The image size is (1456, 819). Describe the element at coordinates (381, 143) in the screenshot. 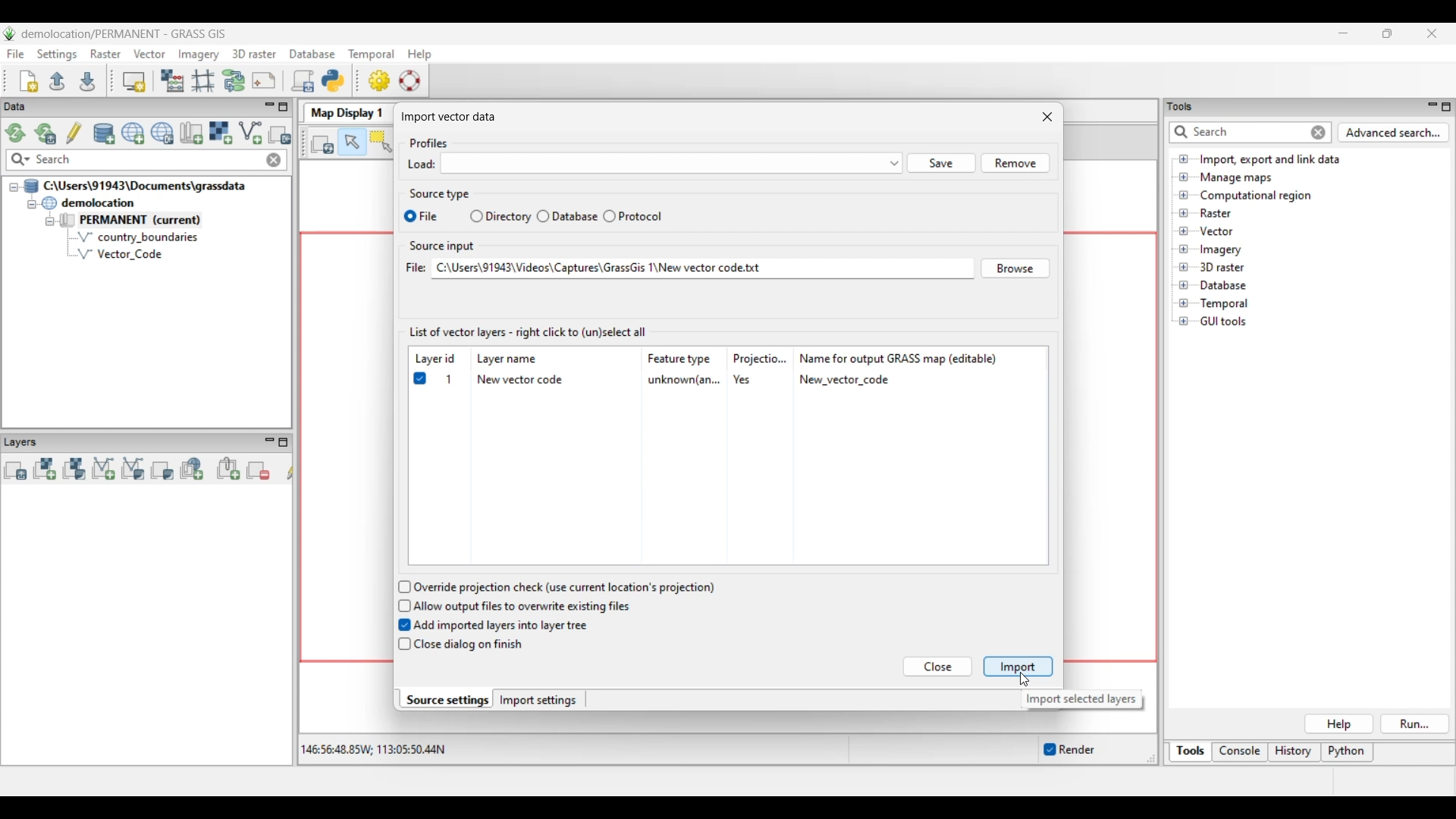

I see `Select vector feature(s)` at that location.